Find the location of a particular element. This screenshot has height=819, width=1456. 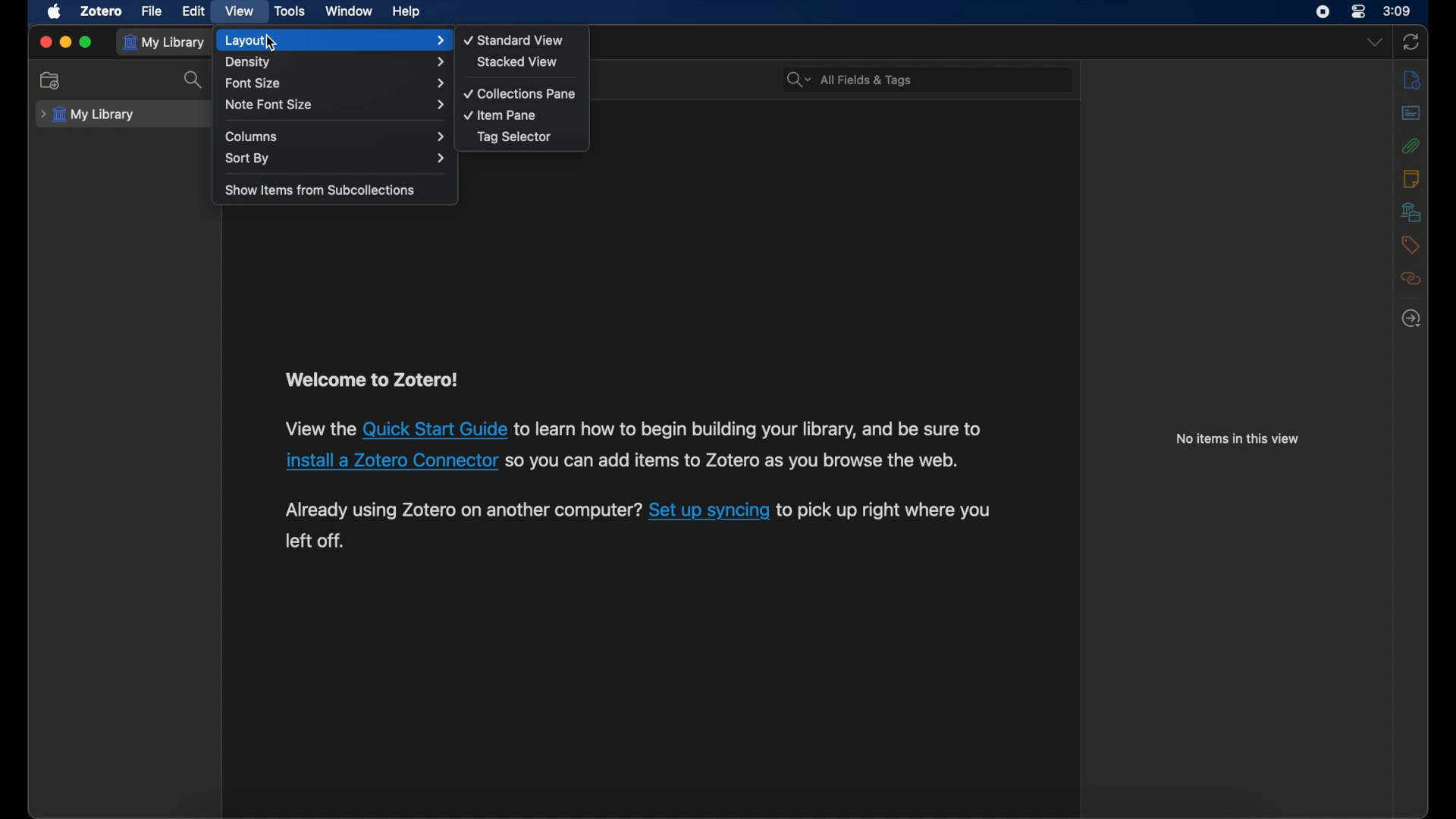

time is located at coordinates (1398, 11).